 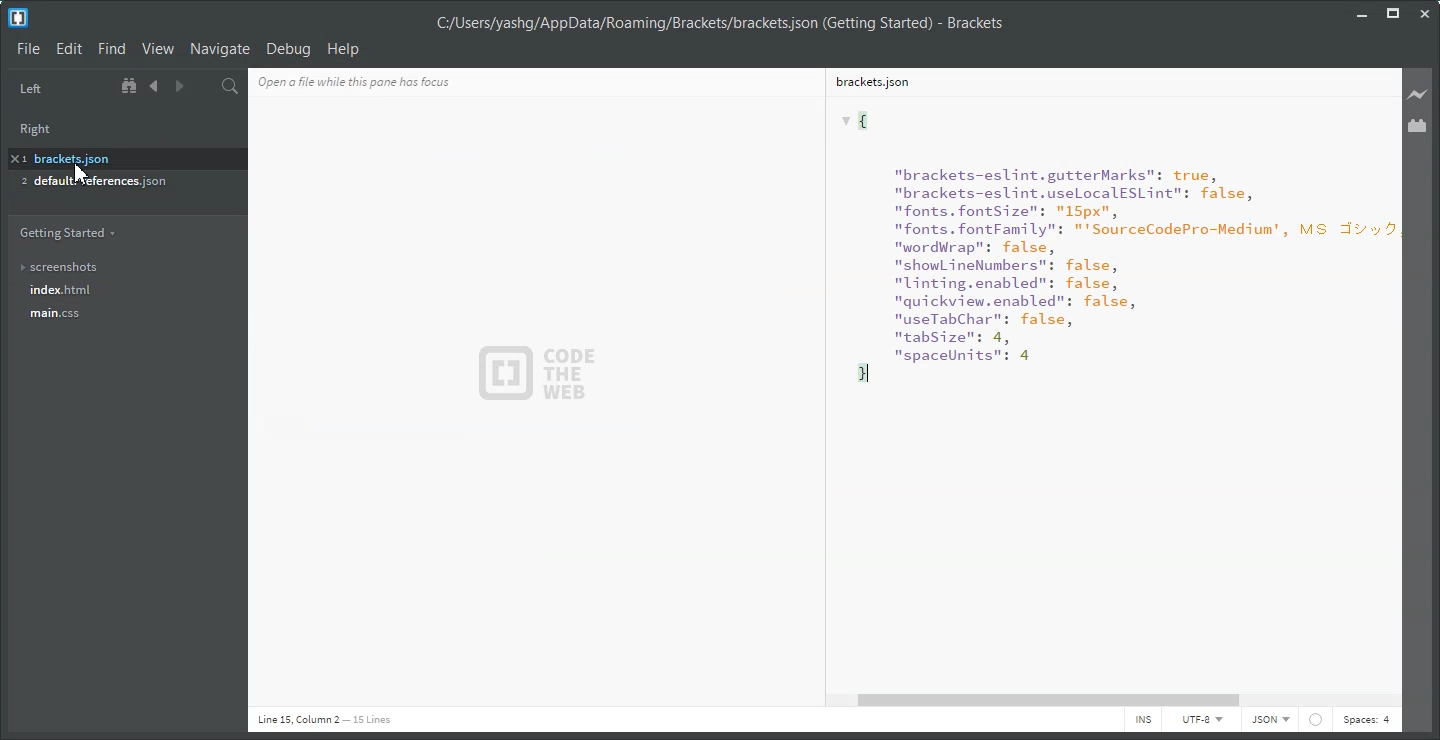 What do you see at coordinates (114, 183) in the screenshot?
I see `defaultpreferences.json` at bounding box center [114, 183].